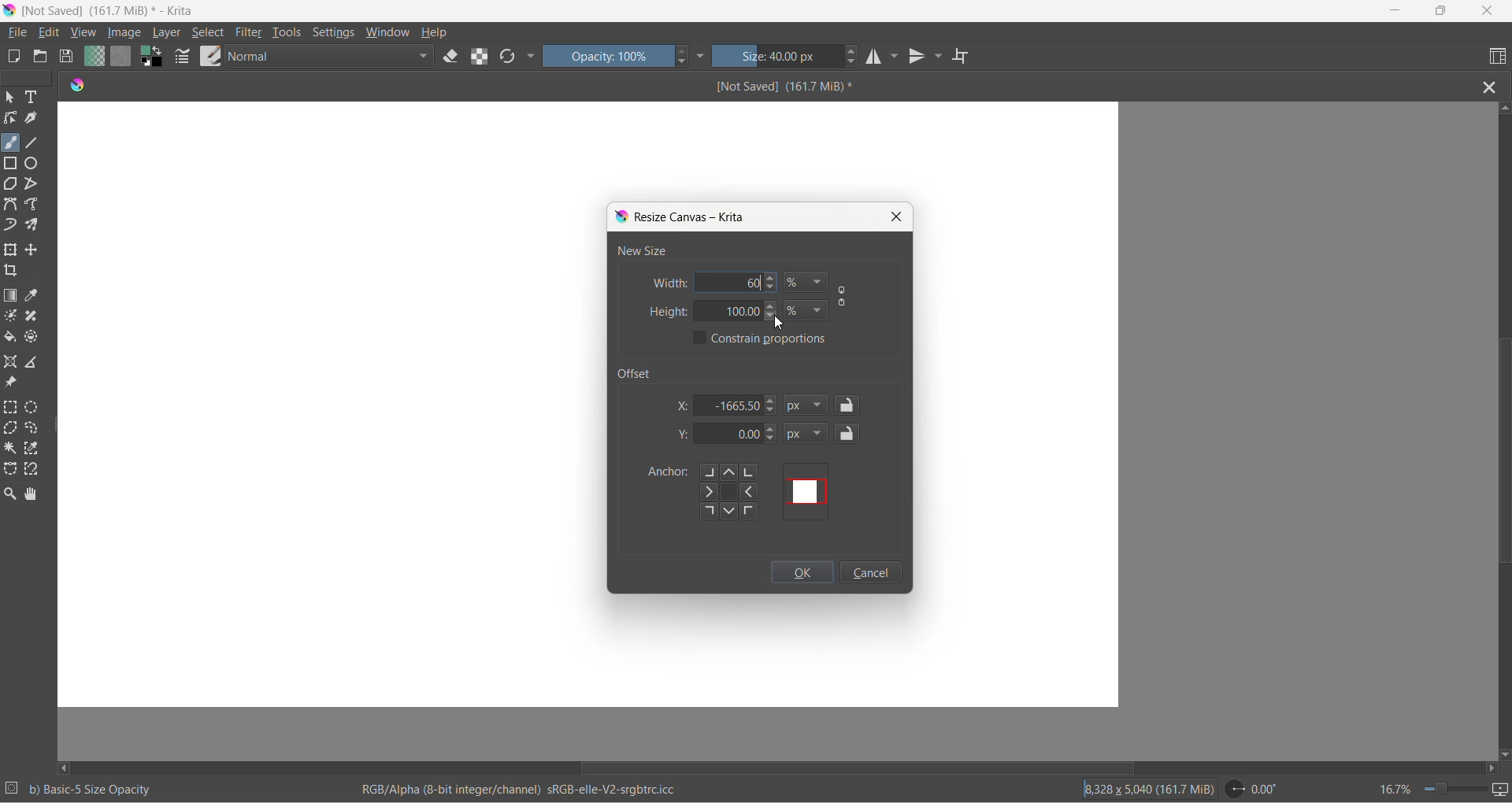 The height and width of the screenshot is (803, 1512). I want to click on wrap around mode, so click(967, 57).